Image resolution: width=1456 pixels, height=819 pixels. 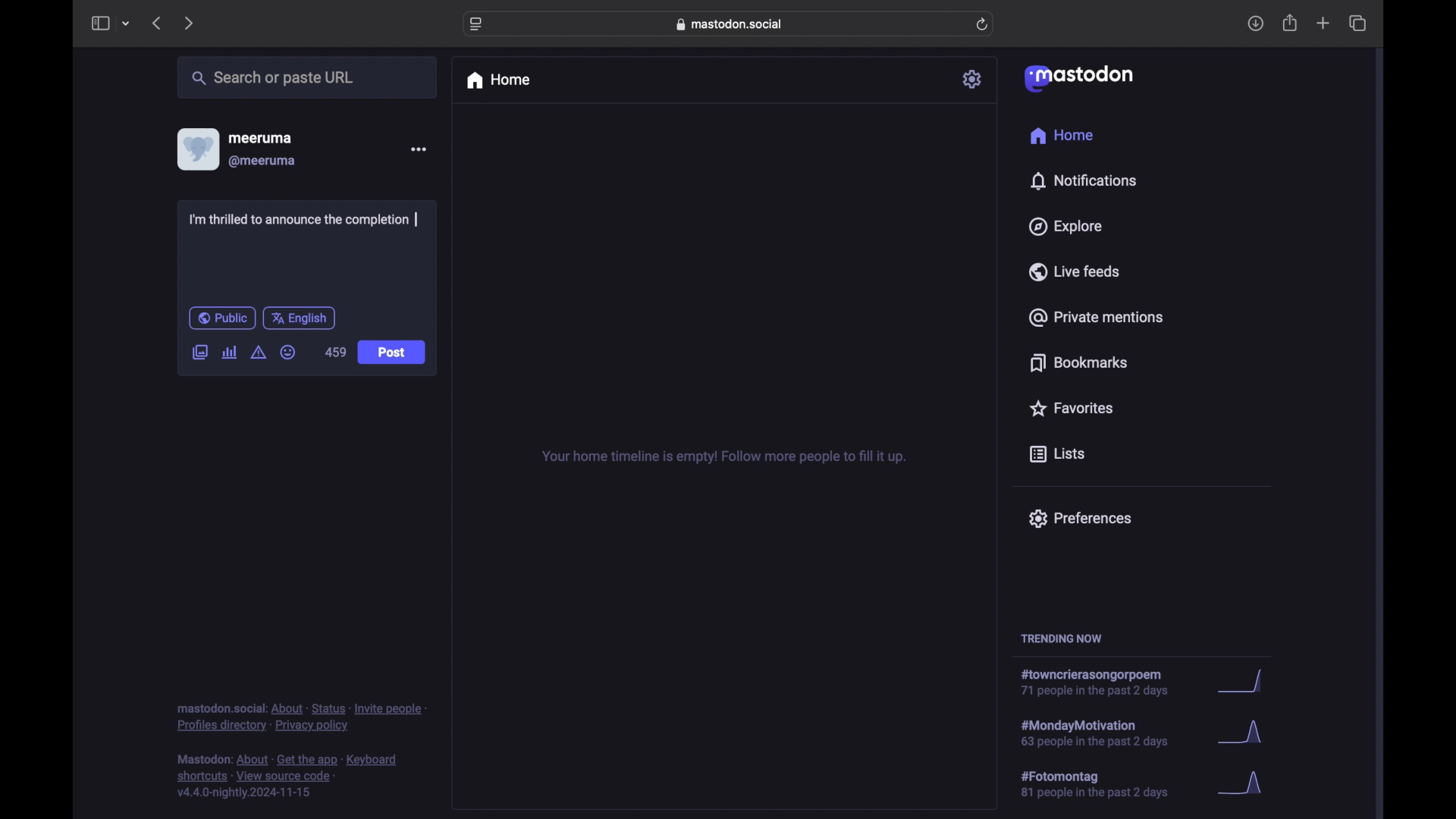 I want to click on hashtag trend, so click(x=1105, y=783).